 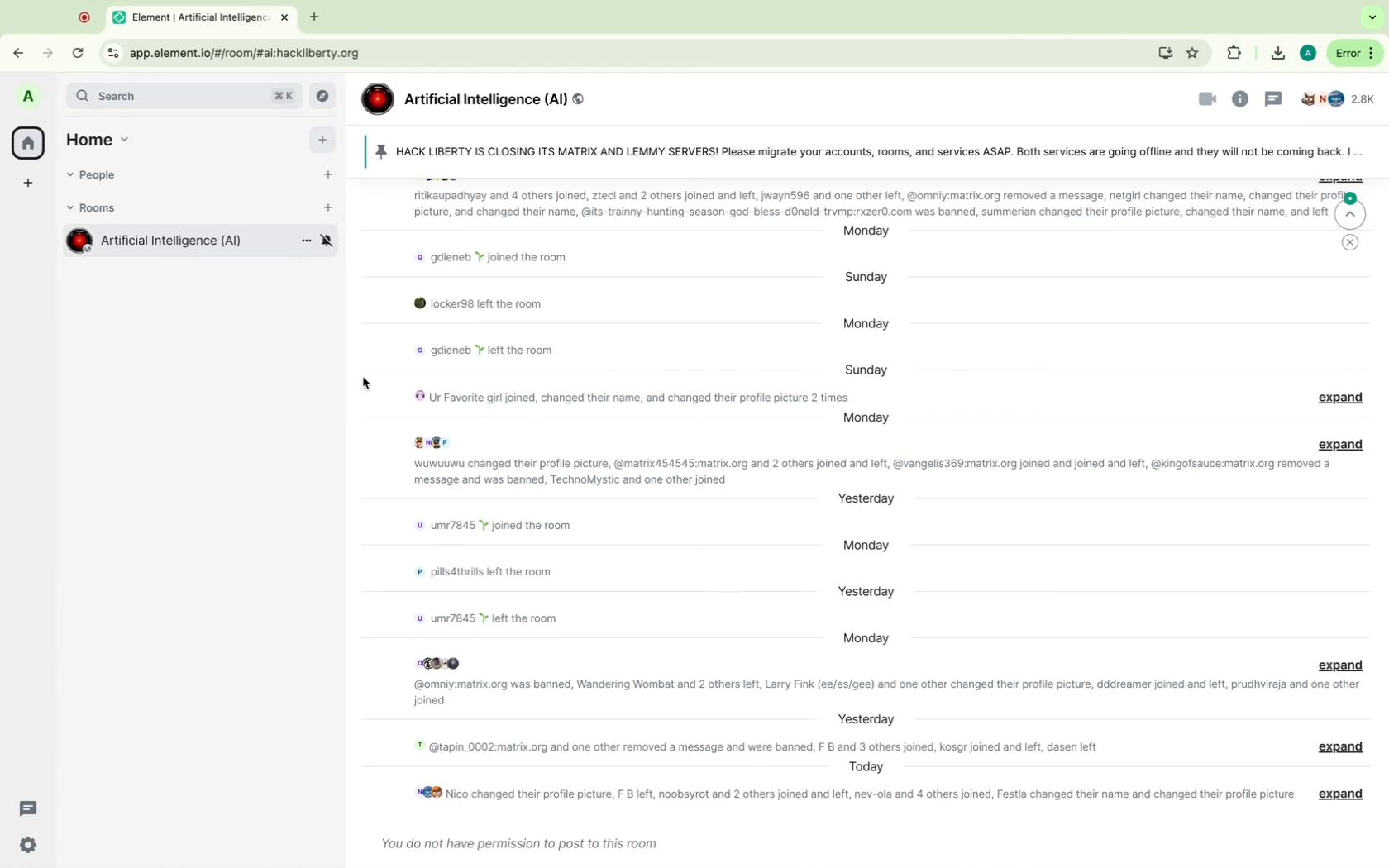 What do you see at coordinates (873, 203) in the screenshot?
I see `message` at bounding box center [873, 203].